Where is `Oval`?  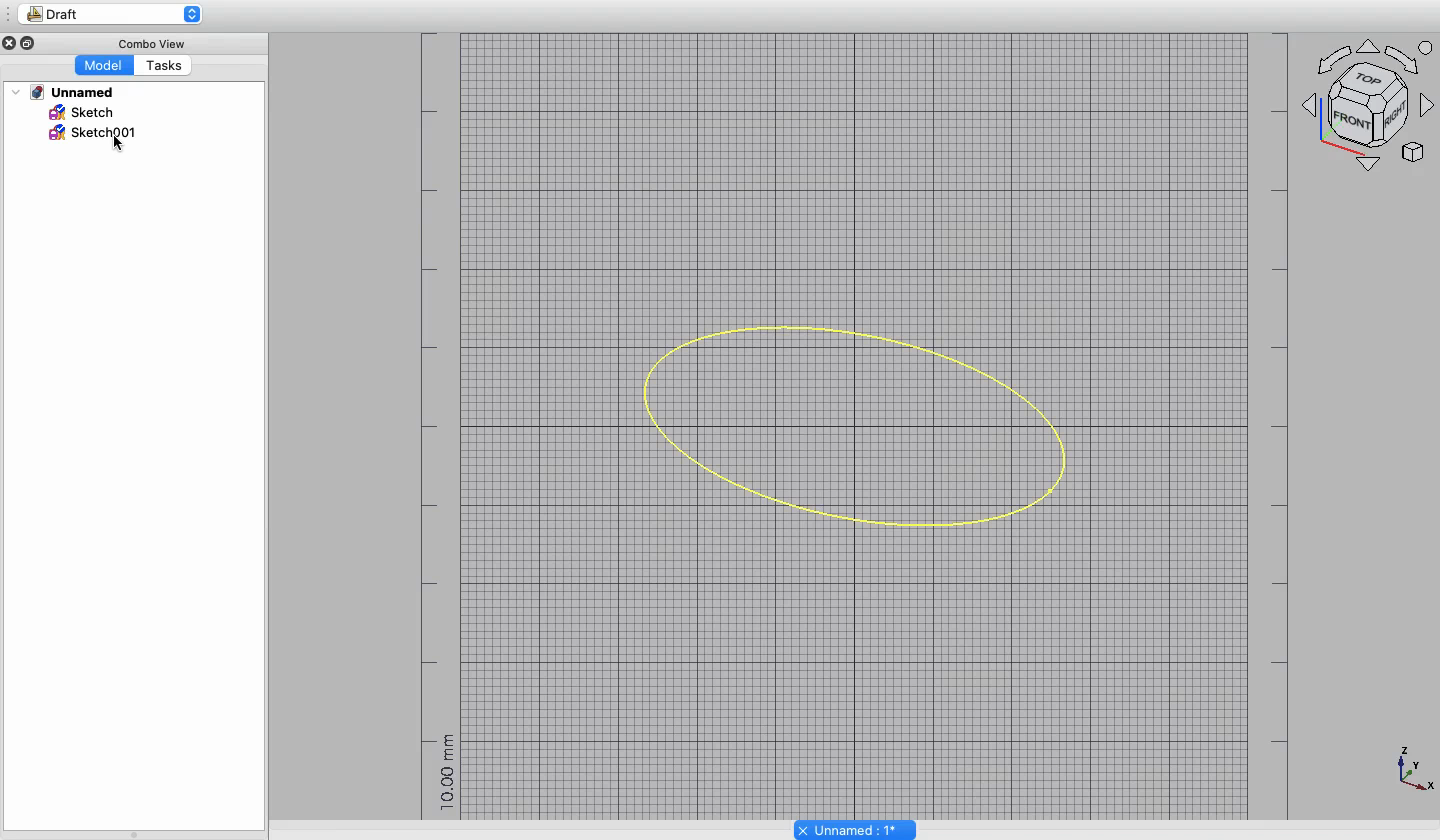 Oval is located at coordinates (848, 421).